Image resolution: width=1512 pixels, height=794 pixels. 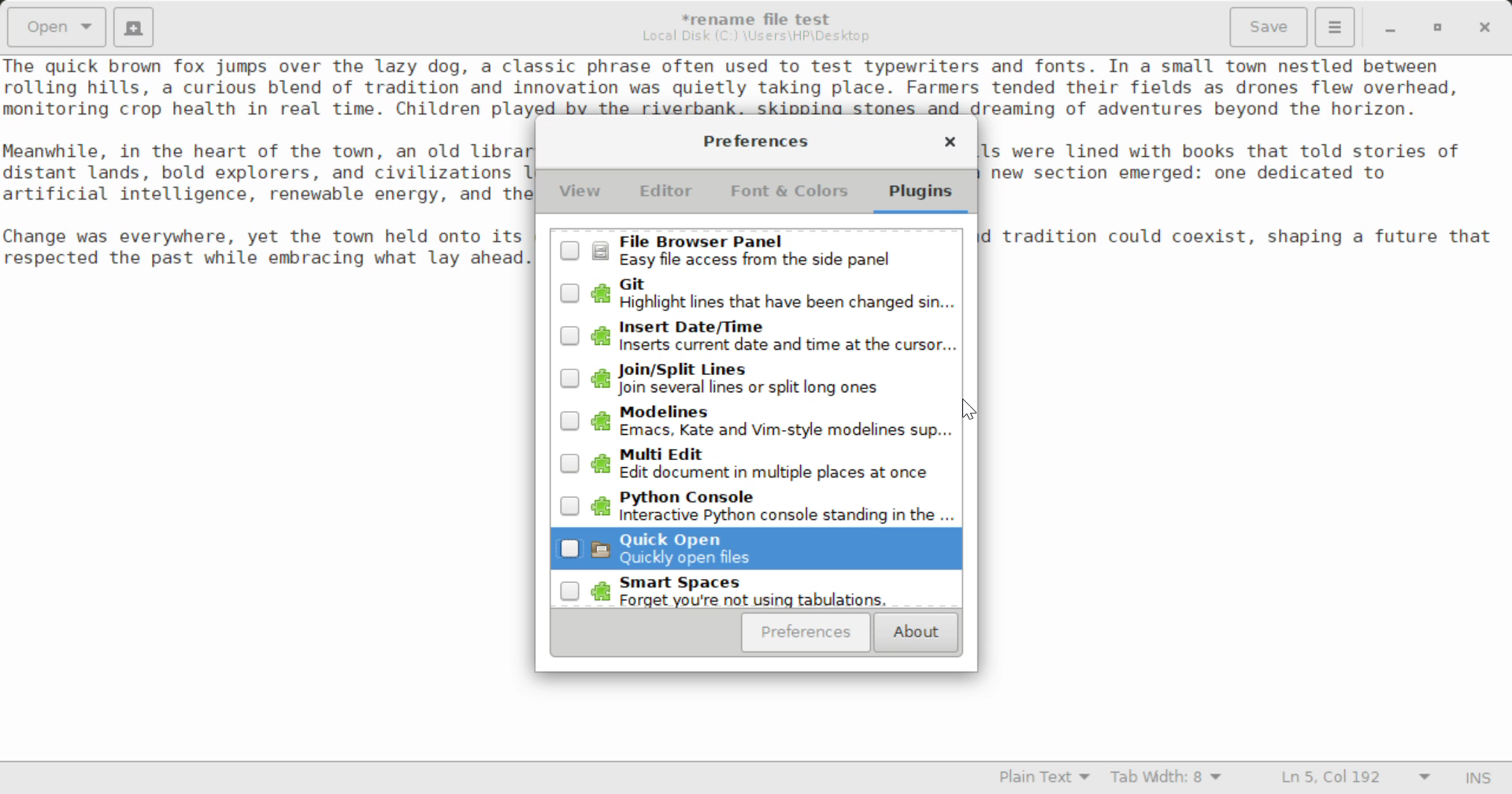 I want to click on File Name , so click(x=761, y=17).